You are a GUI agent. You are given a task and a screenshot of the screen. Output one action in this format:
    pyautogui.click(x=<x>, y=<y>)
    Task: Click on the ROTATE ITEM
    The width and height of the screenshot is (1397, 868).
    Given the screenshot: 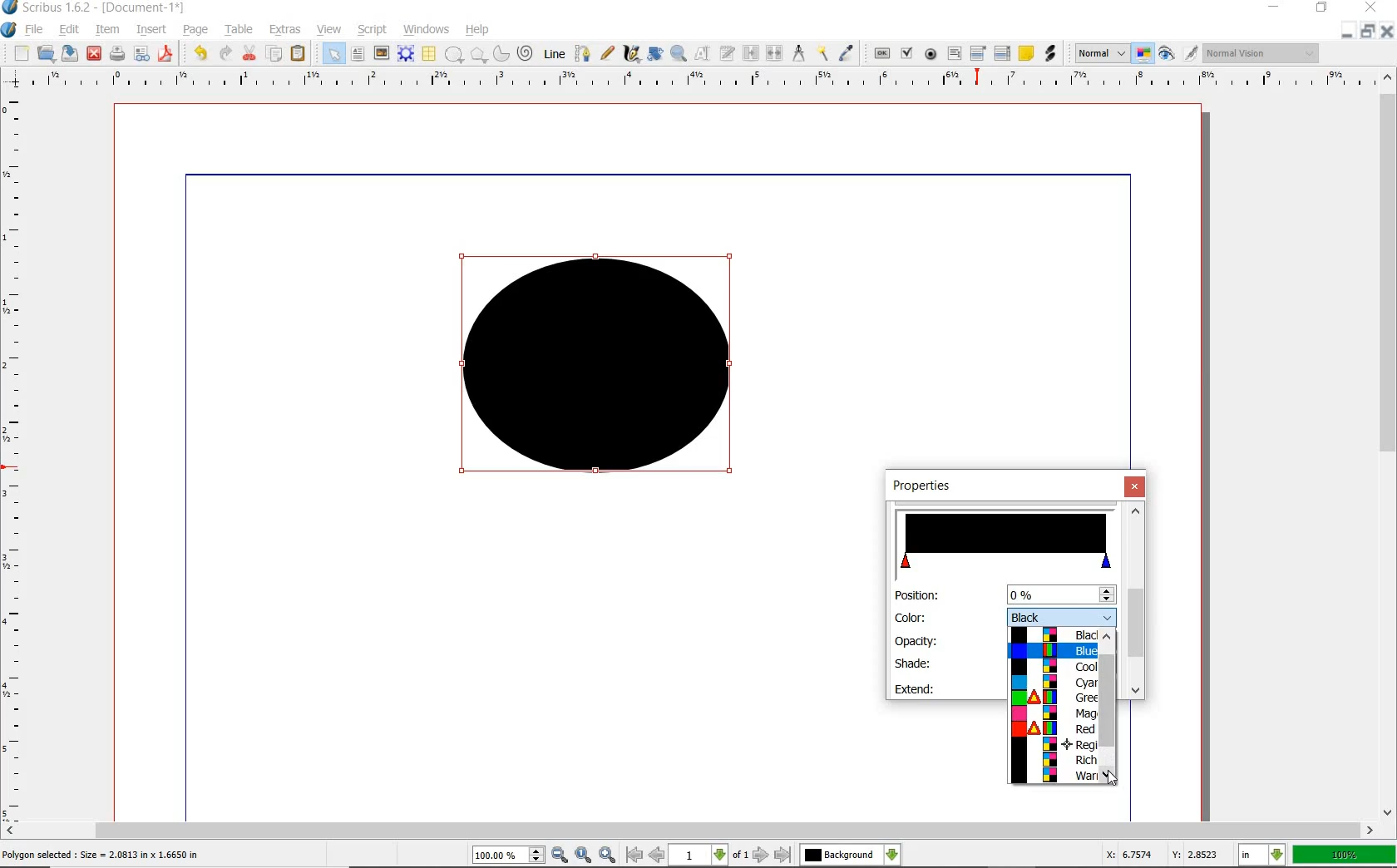 What is the action you would take?
    pyautogui.click(x=654, y=52)
    